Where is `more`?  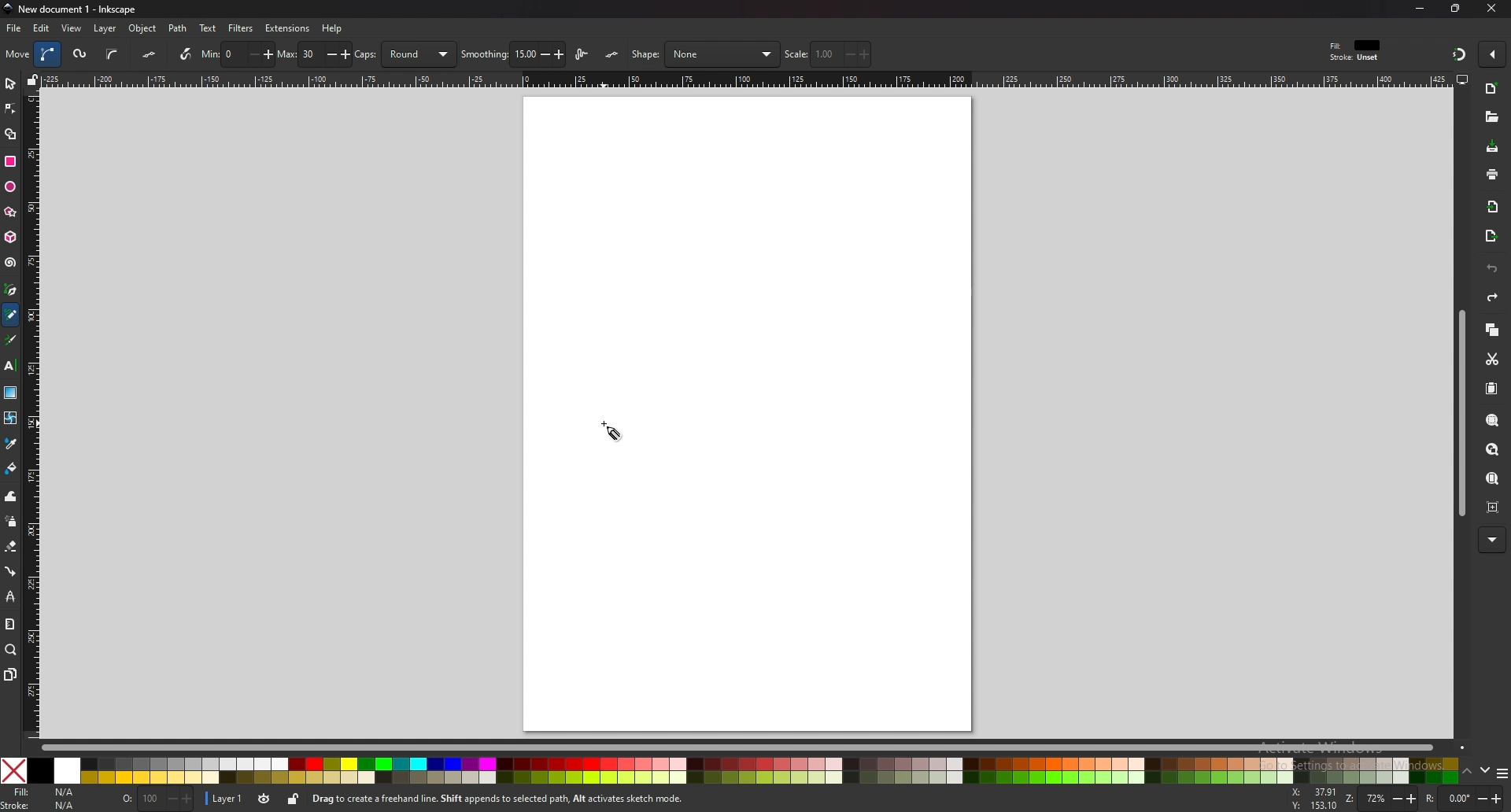
more is located at coordinates (1492, 540).